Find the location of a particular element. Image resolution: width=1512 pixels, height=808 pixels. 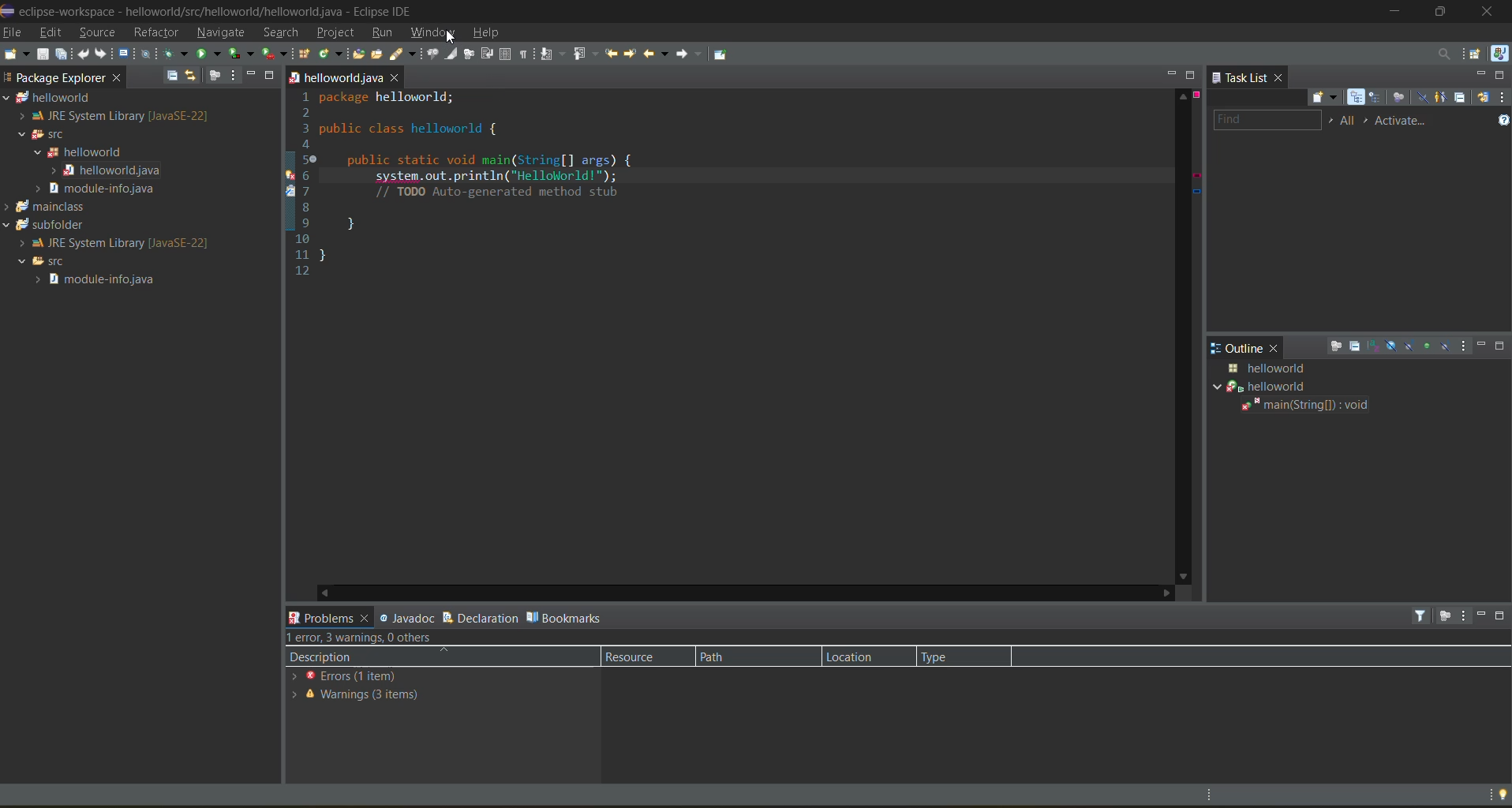

project is located at coordinates (336, 33).